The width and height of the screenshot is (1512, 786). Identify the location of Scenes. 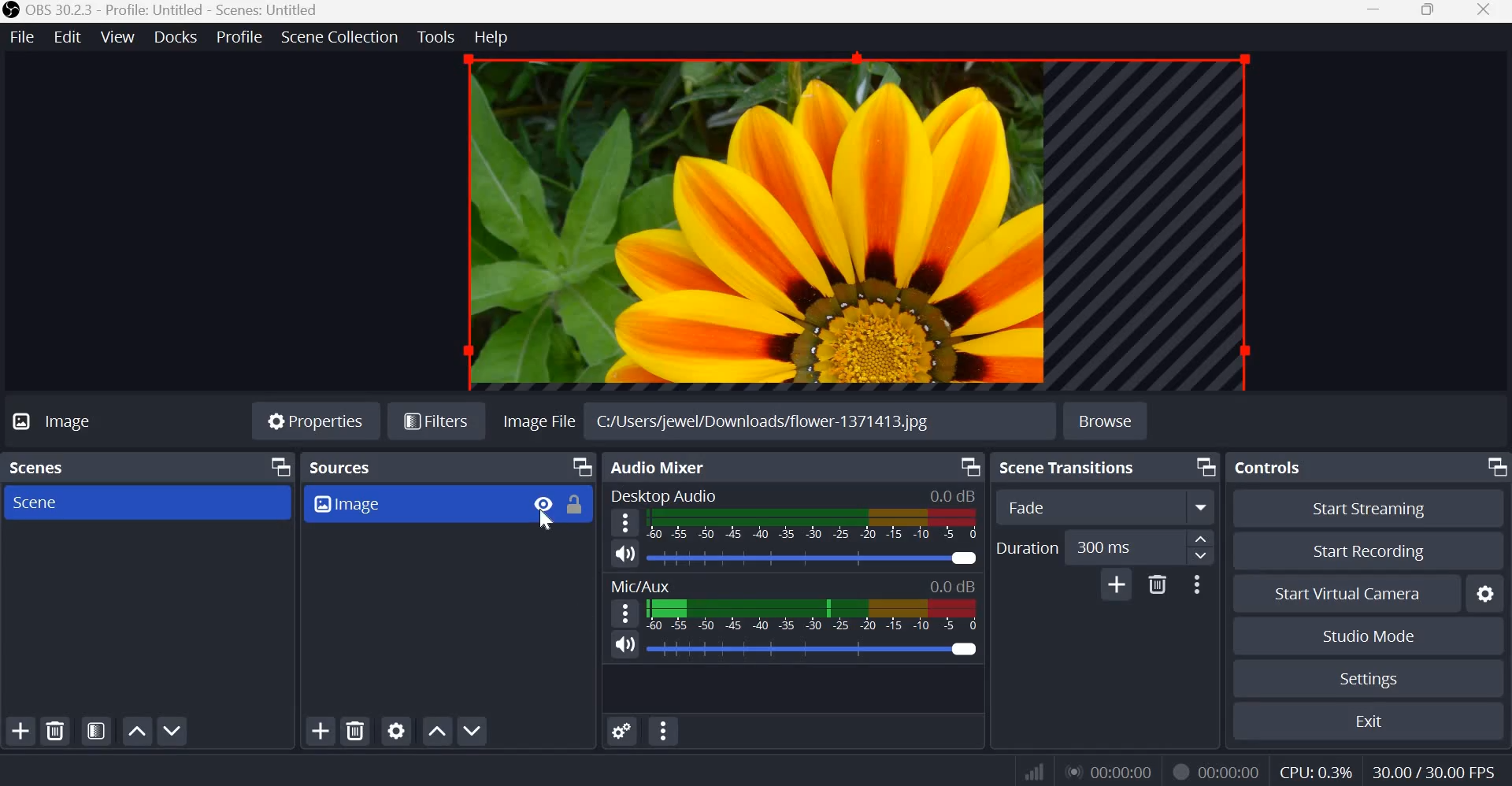
(77, 469).